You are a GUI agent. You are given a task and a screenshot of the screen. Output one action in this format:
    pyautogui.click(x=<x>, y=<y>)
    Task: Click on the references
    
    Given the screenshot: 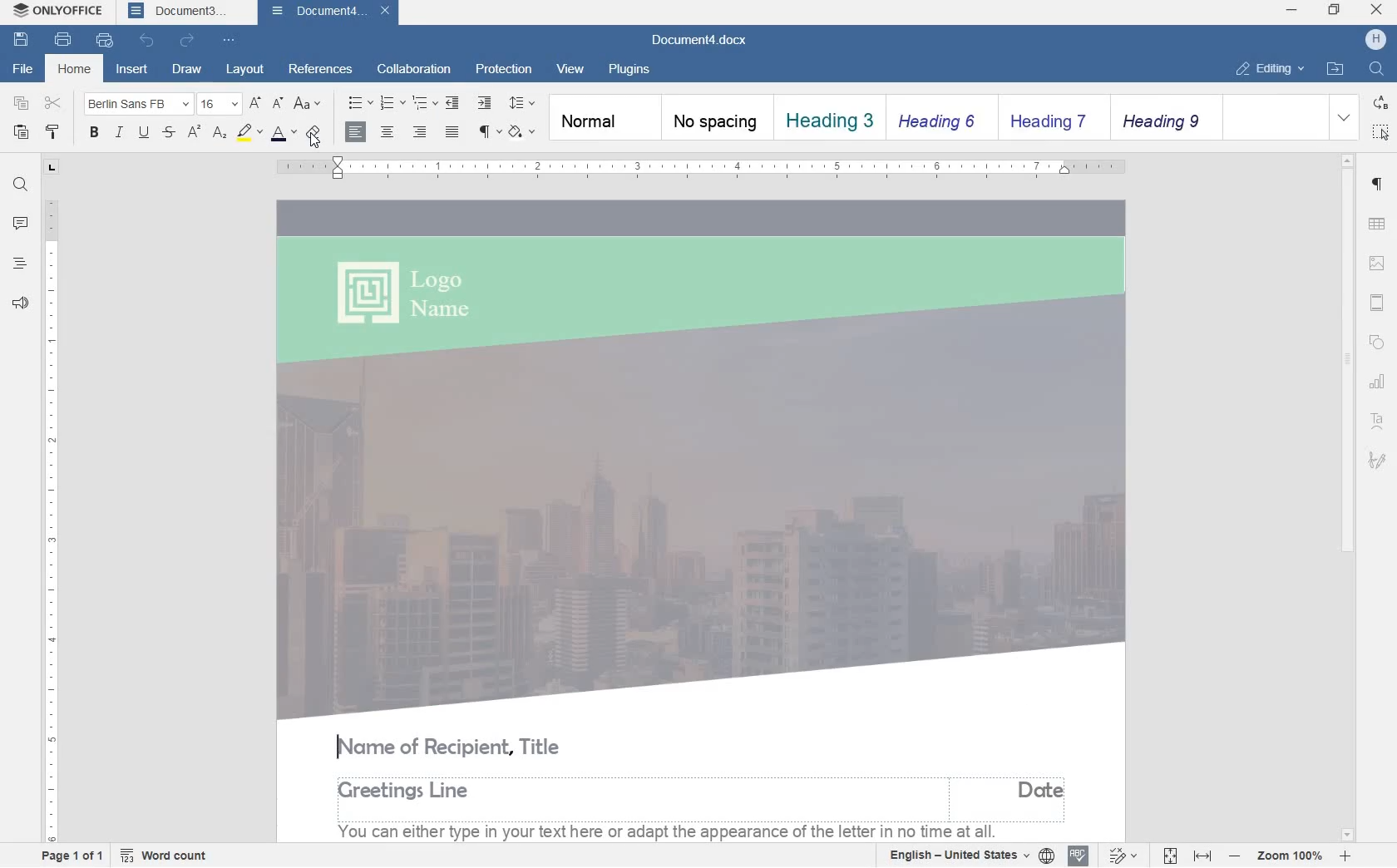 What is the action you would take?
    pyautogui.click(x=322, y=71)
    